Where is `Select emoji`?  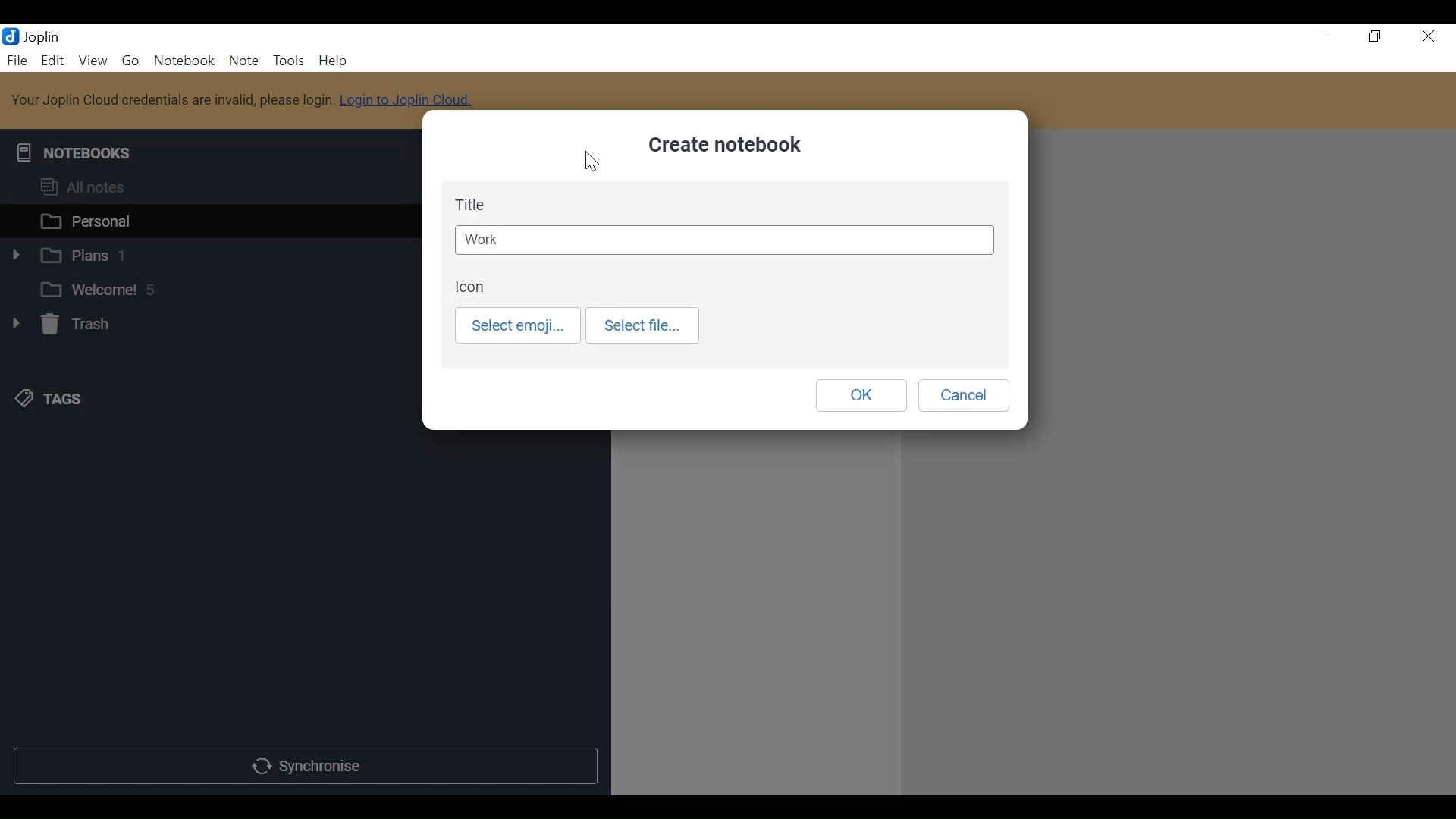
Select emoji is located at coordinates (520, 325).